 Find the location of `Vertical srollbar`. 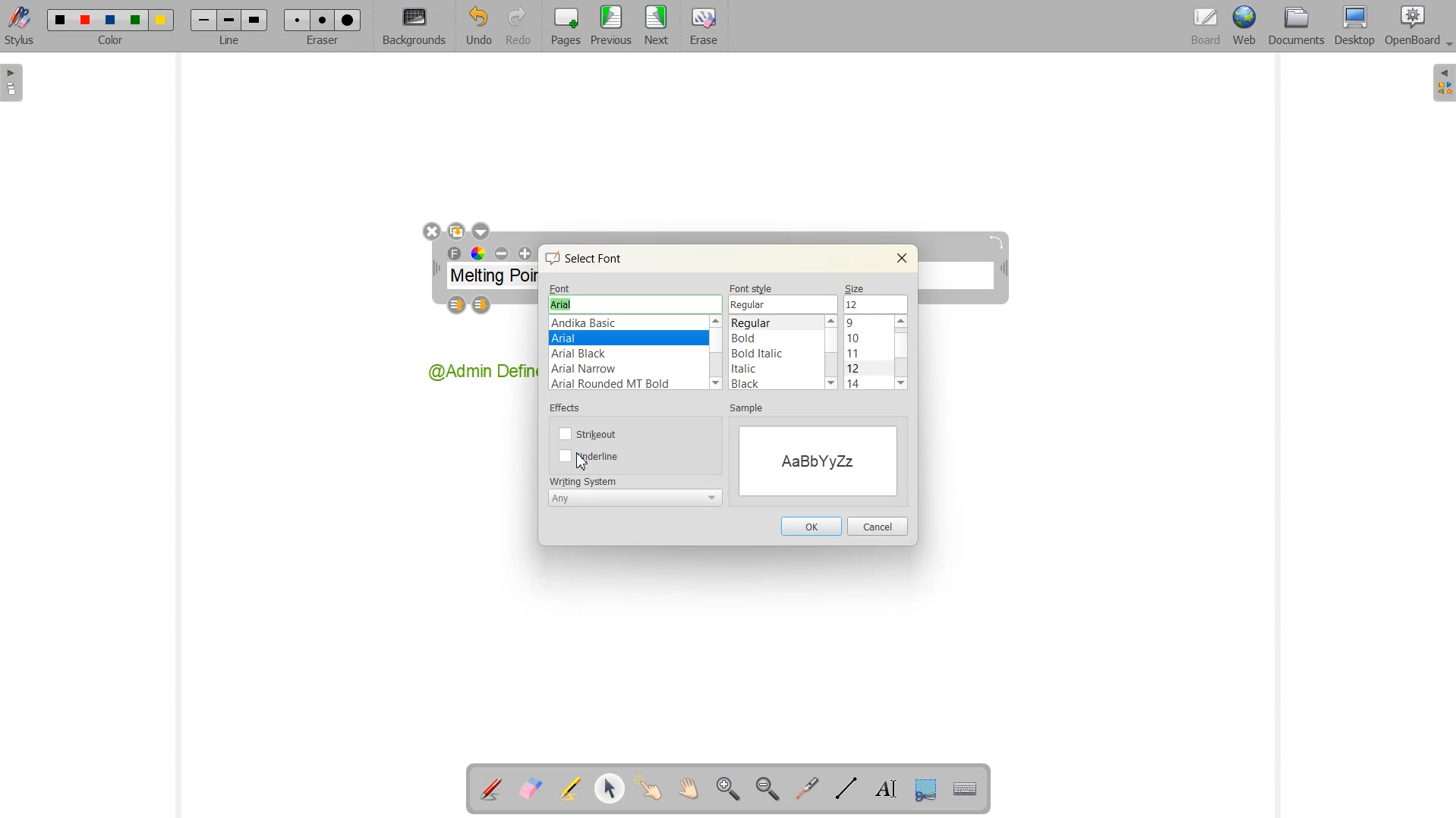

Vertical srollbar is located at coordinates (904, 353).